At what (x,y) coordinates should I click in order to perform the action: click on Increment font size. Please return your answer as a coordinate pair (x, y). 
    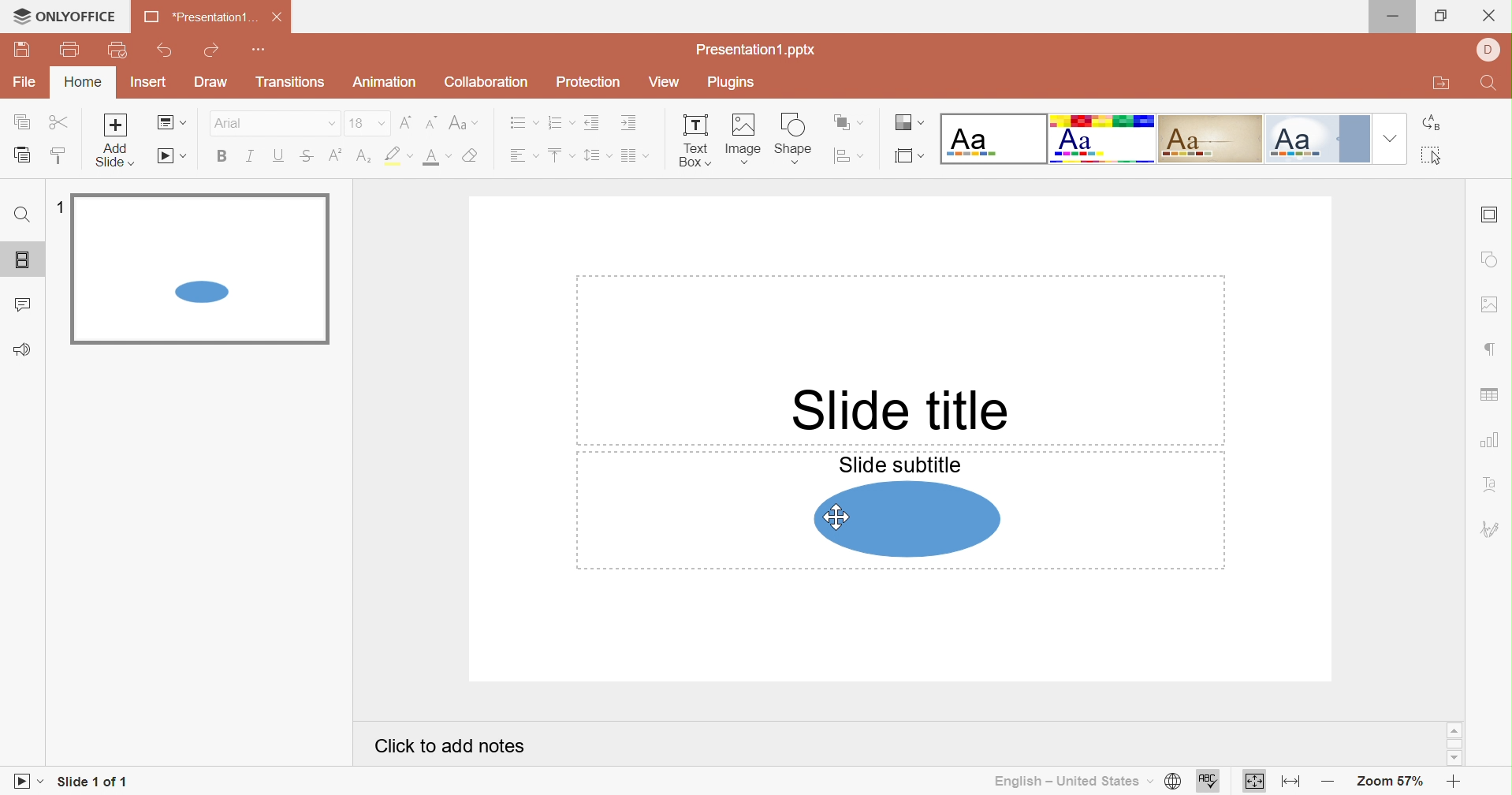
    Looking at the image, I should click on (404, 121).